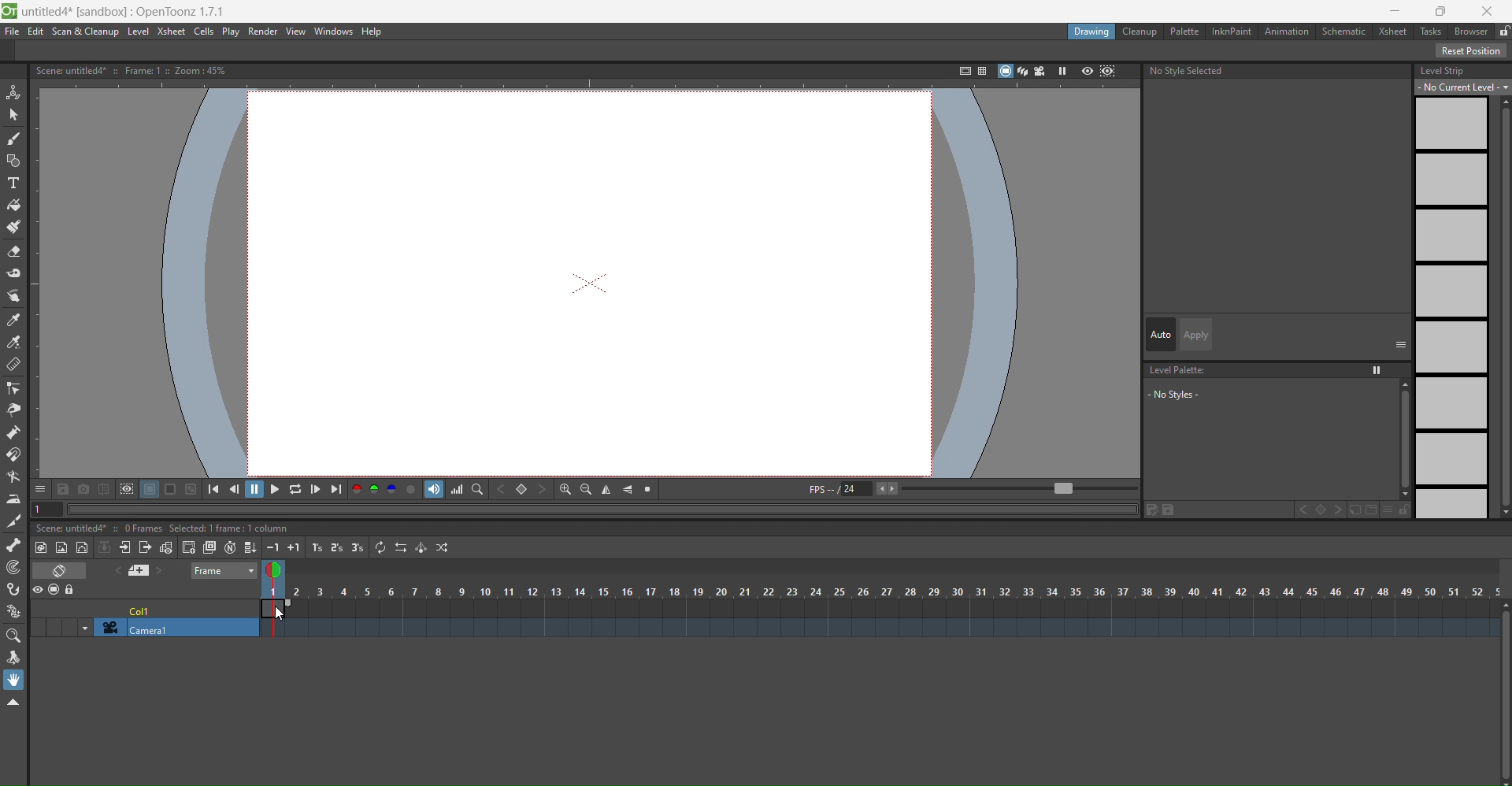 This screenshot has height=786, width=1512. What do you see at coordinates (521, 489) in the screenshot?
I see `set key` at bounding box center [521, 489].